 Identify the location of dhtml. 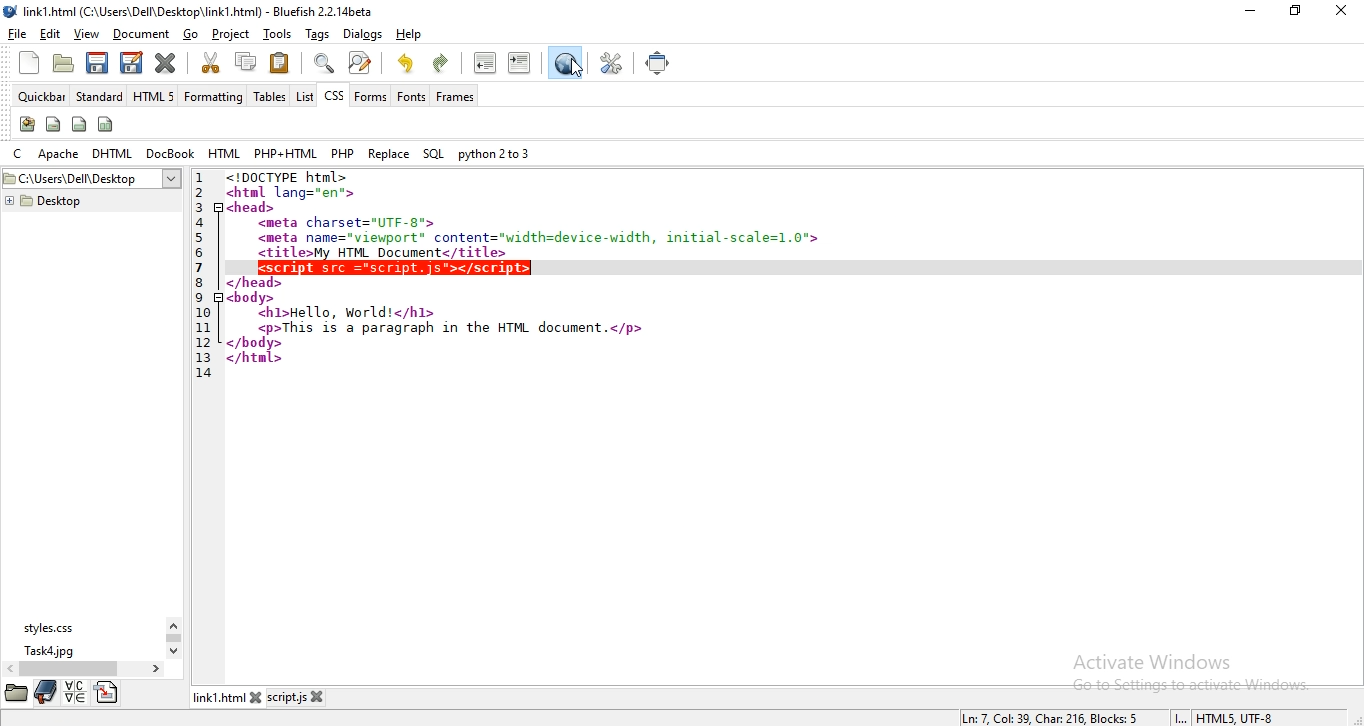
(112, 154).